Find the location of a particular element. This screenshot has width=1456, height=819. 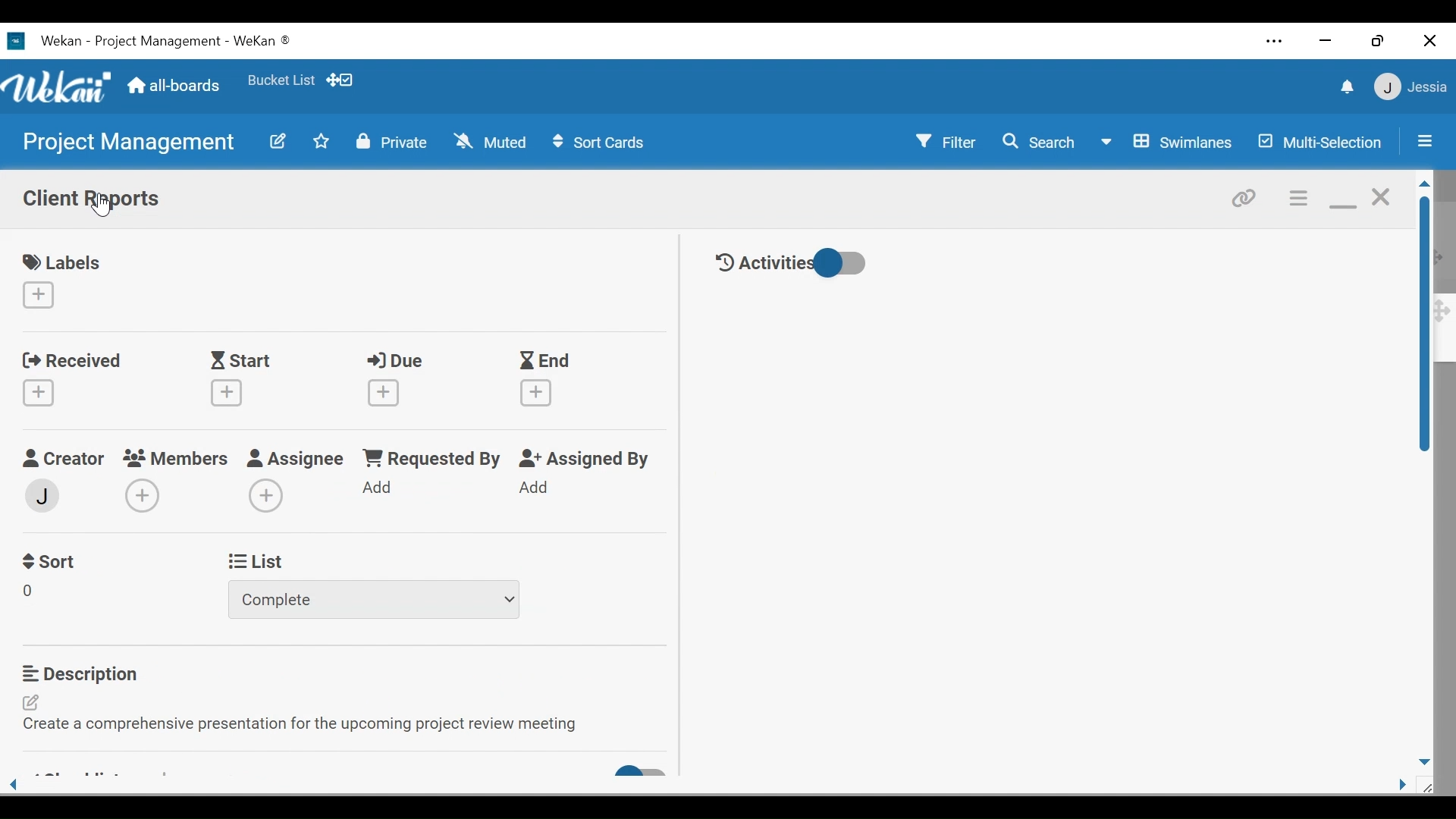

Toggle show/hide History activities is located at coordinates (840, 263).